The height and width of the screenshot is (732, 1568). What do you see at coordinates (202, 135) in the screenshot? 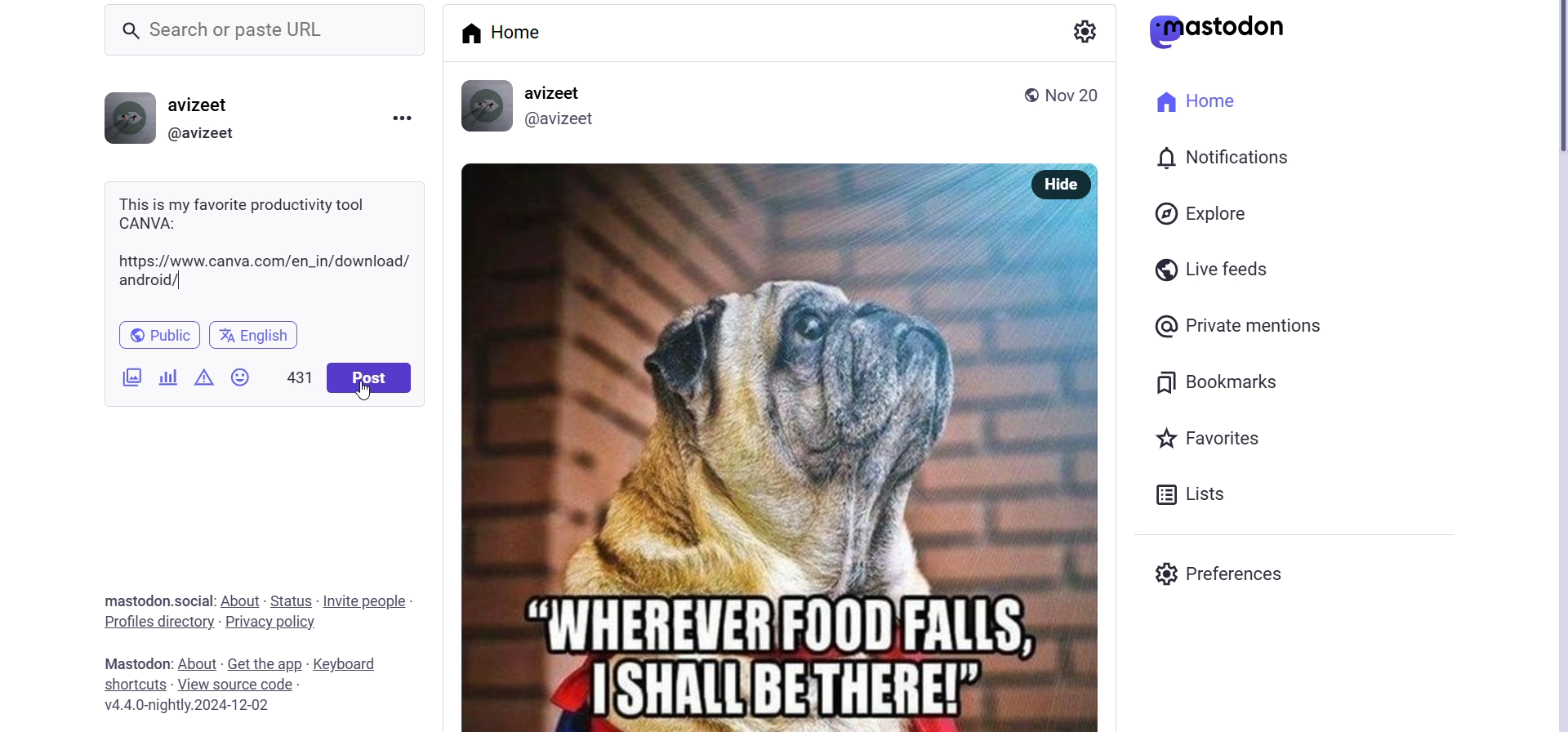
I see `@avizeet` at bounding box center [202, 135].